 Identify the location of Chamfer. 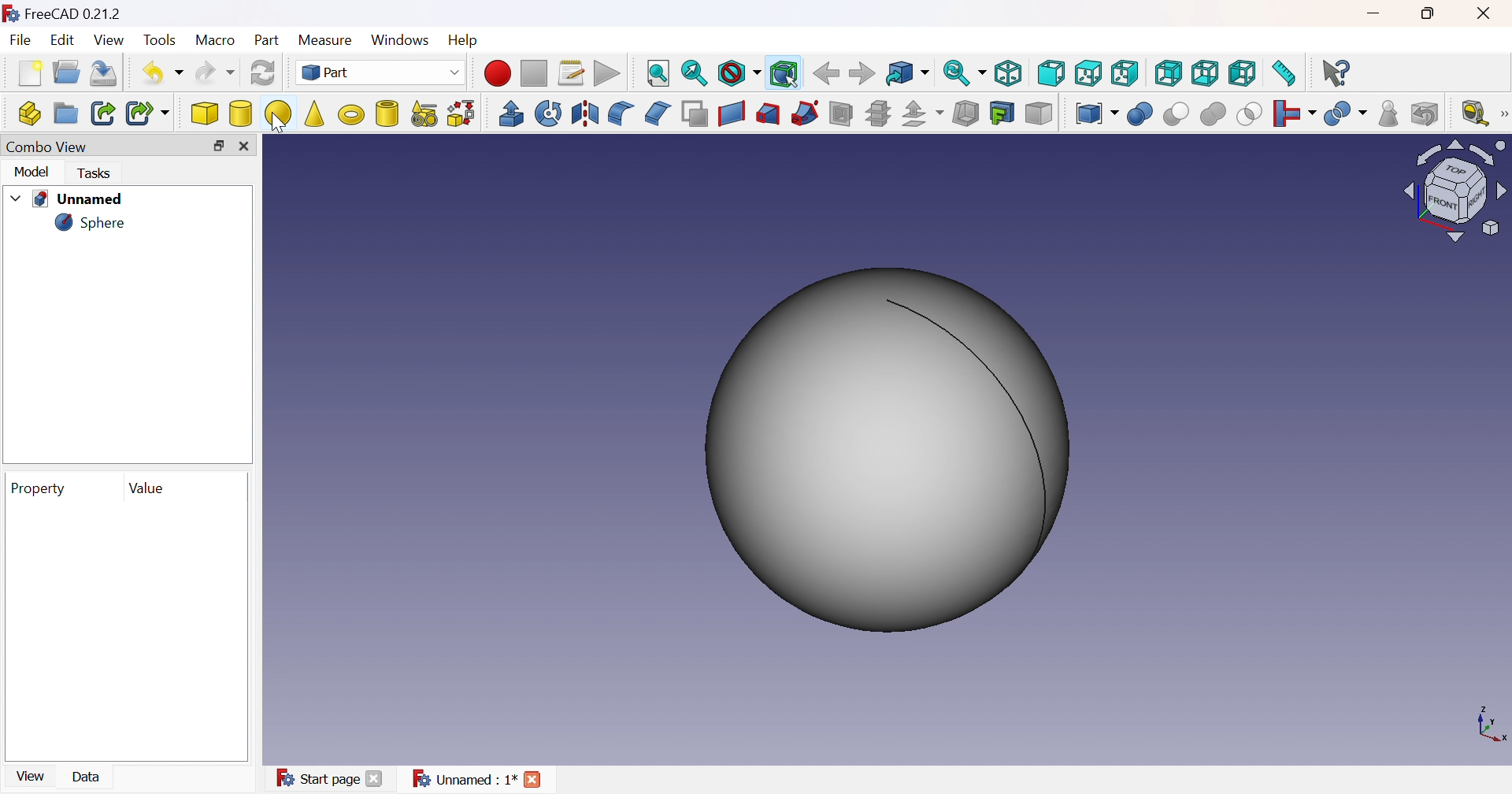
(660, 113).